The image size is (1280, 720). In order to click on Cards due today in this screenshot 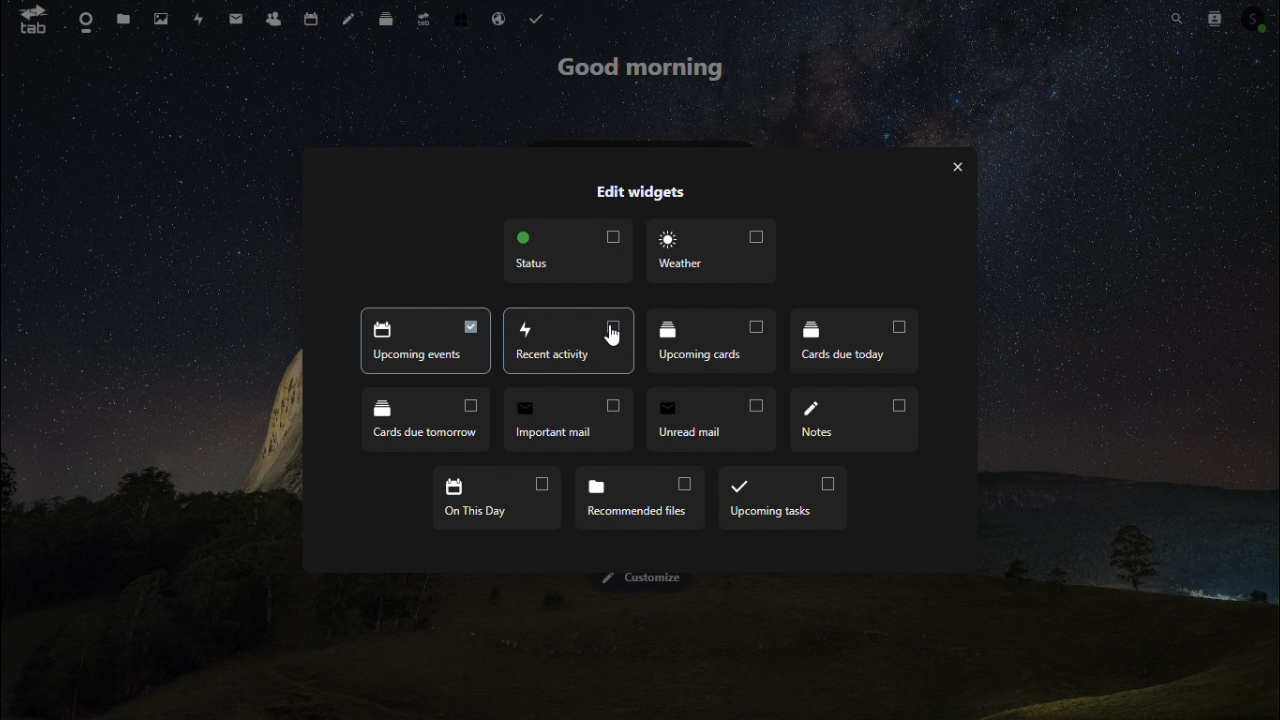, I will do `click(854, 341)`.